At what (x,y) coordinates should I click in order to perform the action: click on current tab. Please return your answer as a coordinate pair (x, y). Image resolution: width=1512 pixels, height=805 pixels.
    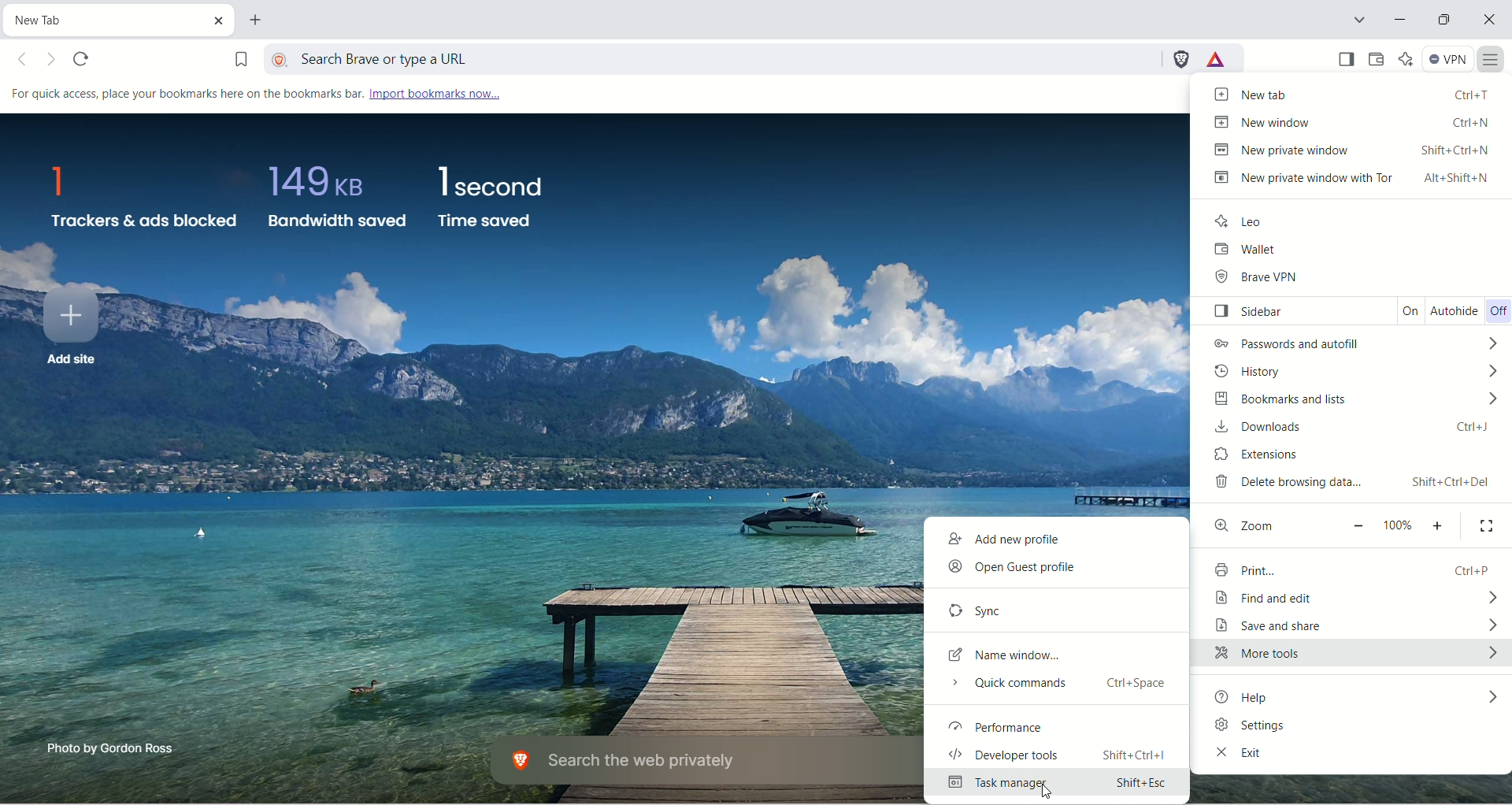
    Looking at the image, I should click on (98, 20).